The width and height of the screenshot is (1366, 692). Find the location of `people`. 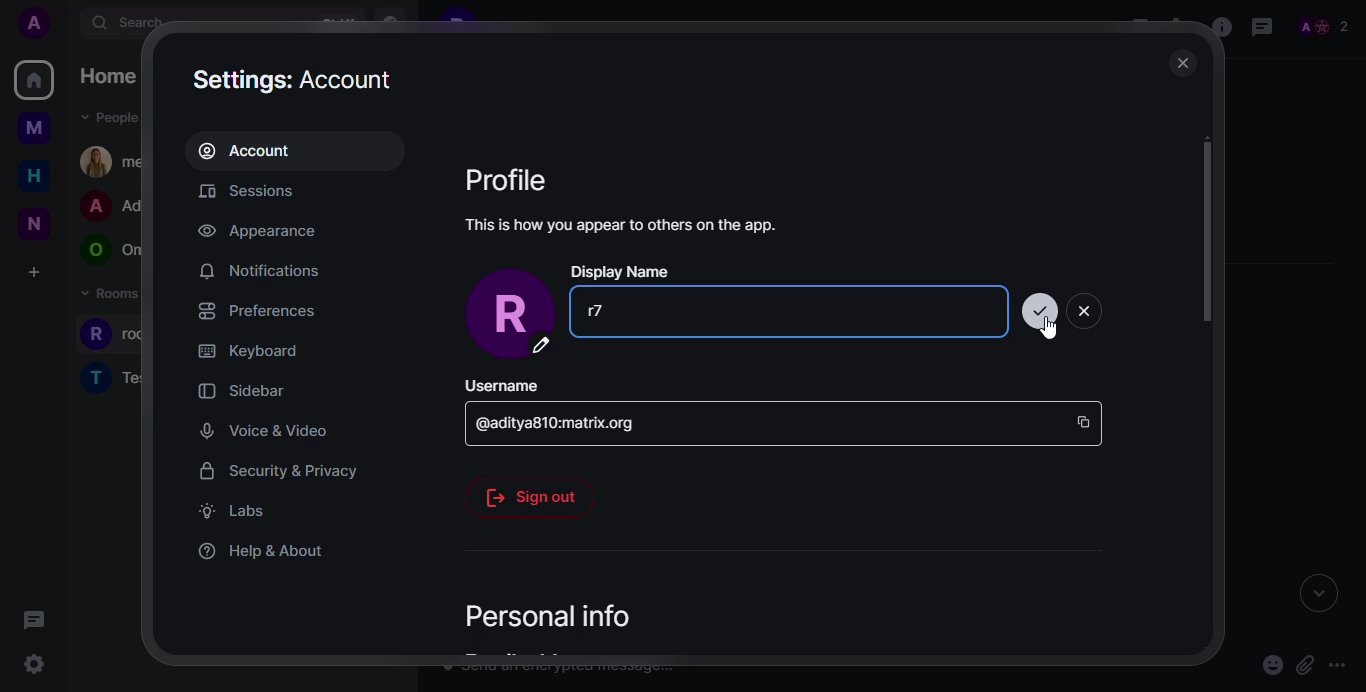

people is located at coordinates (113, 159).